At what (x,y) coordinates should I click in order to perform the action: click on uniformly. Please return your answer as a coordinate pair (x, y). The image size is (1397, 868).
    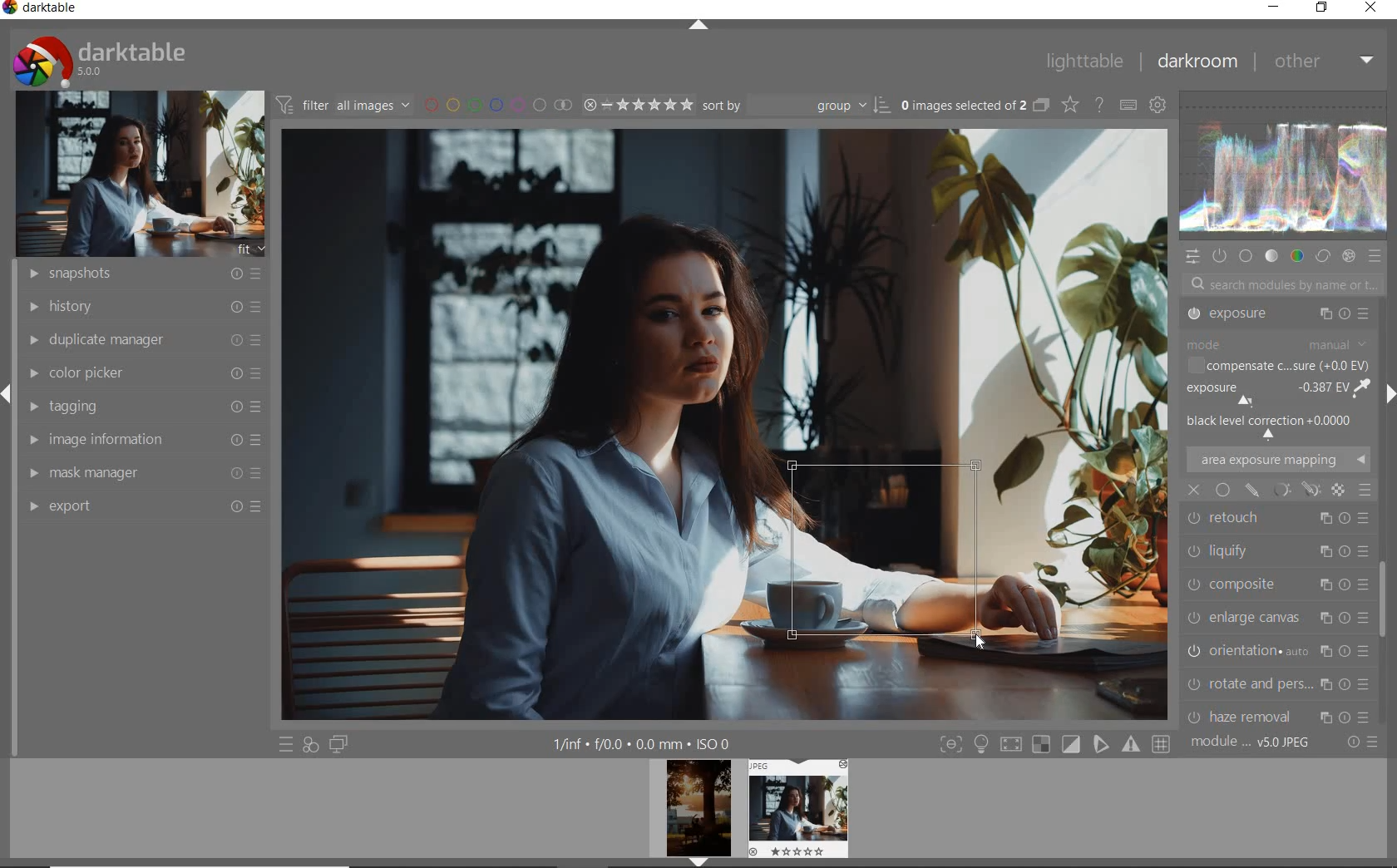
    Looking at the image, I should click on (1222, 491).